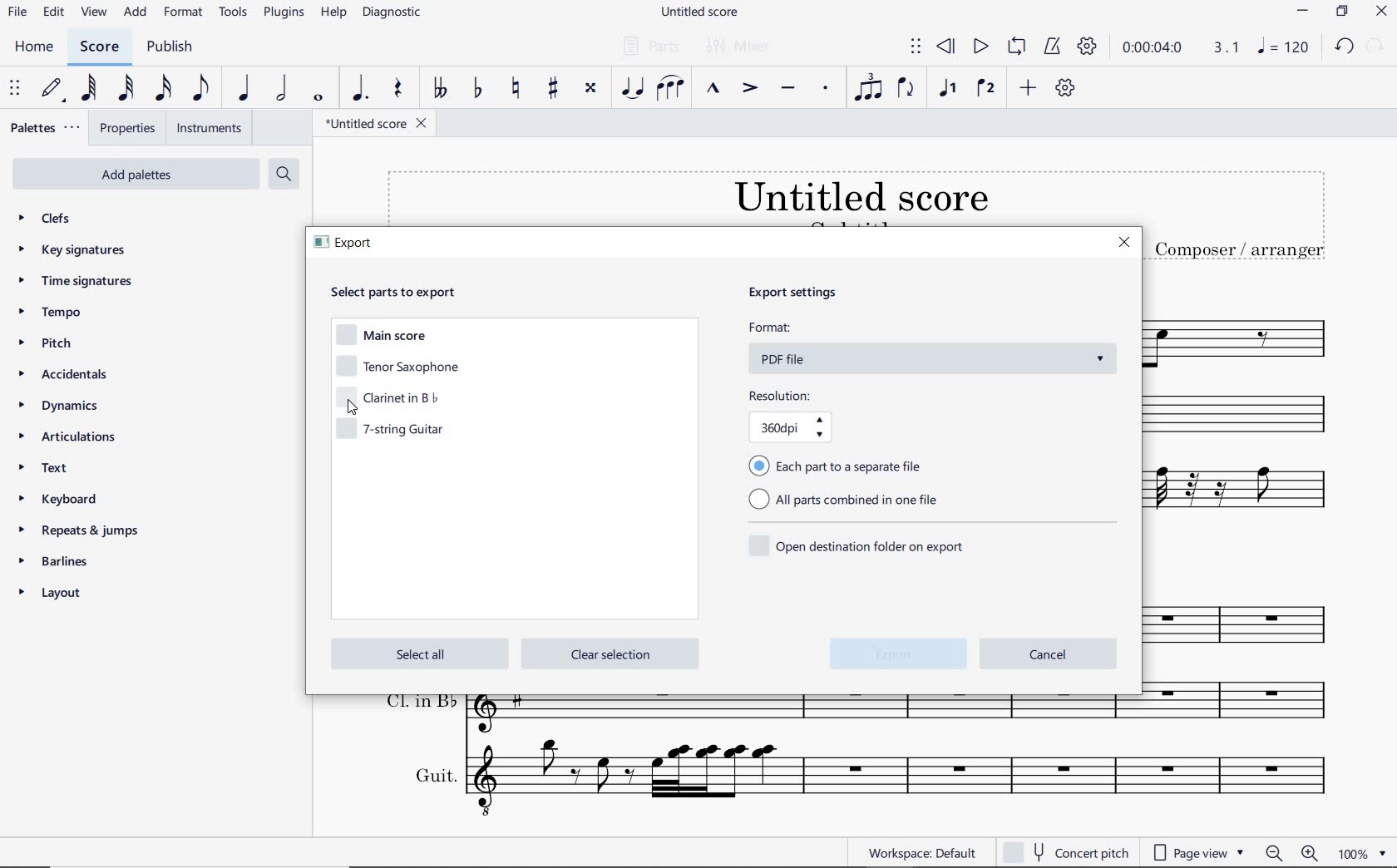  I want to click on SELECT TO MOVE, so click(915, 46).